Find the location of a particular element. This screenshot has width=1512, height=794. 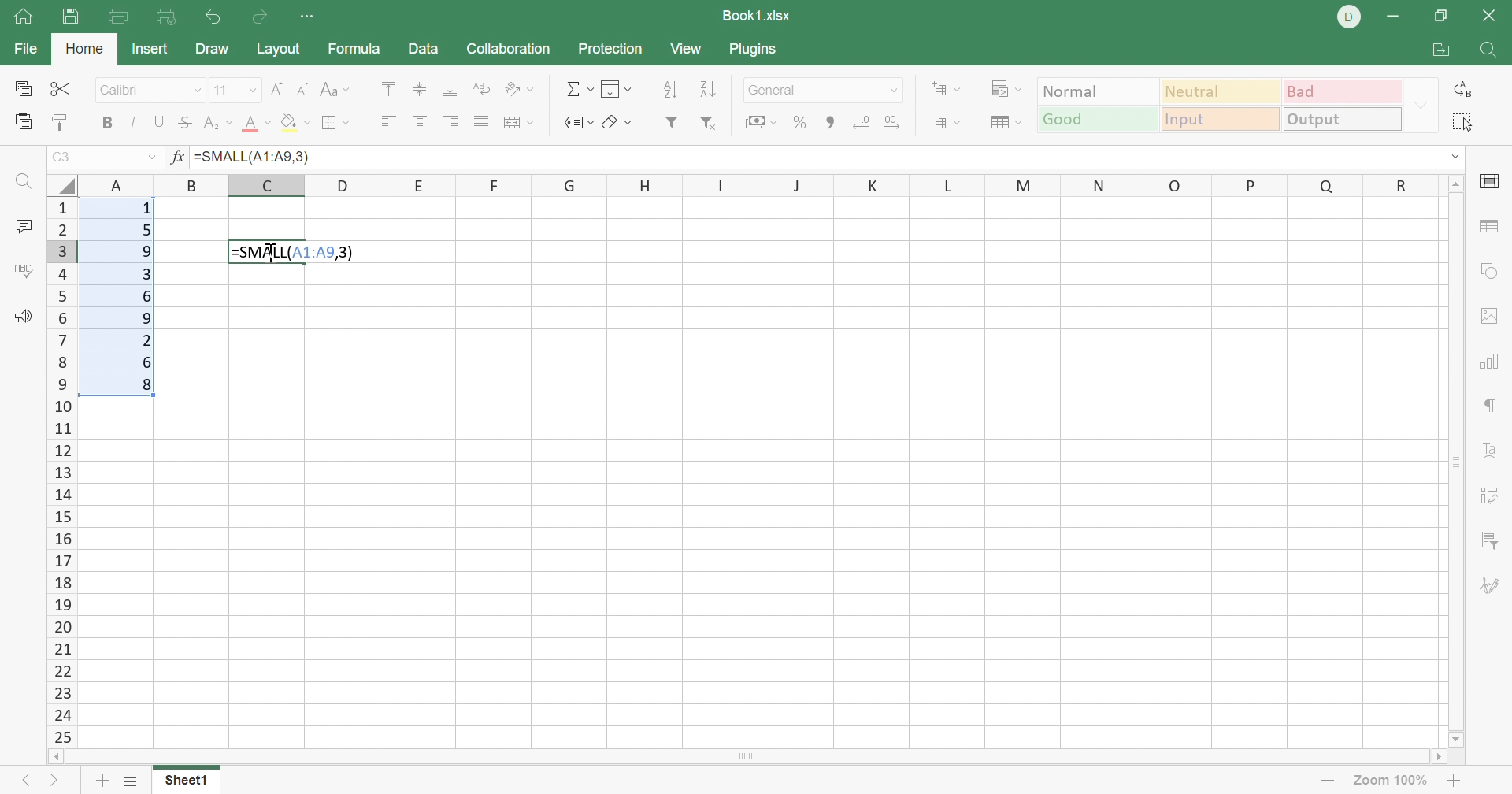

Plugins is located at coordinates (754, 50).